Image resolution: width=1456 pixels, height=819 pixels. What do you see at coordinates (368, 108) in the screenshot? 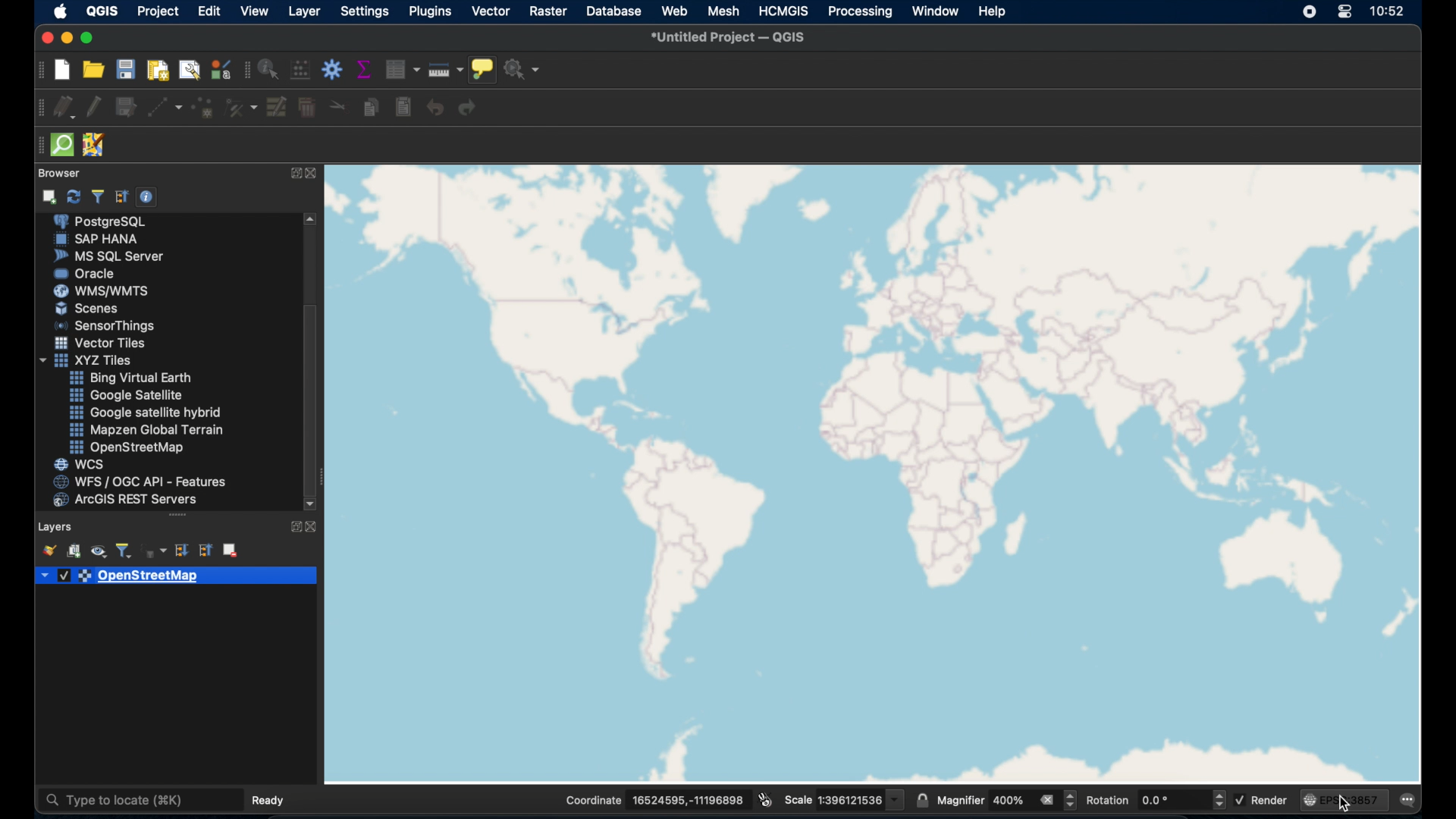
I see `copy features` at bounding box center [368, 108].